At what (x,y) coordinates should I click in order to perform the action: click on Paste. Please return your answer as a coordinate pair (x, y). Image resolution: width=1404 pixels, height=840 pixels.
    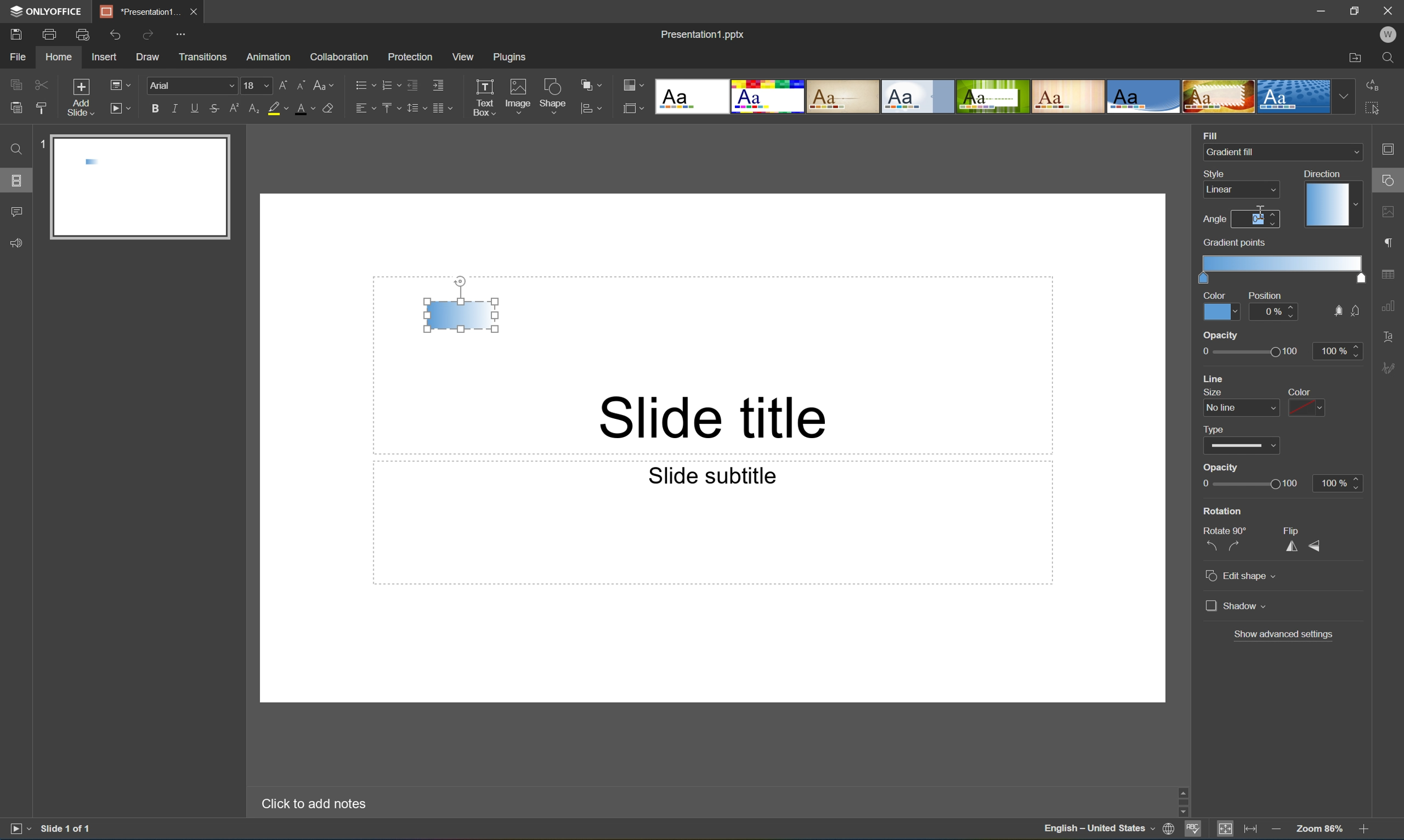
    Looking at the image, I should click on (13, 108).